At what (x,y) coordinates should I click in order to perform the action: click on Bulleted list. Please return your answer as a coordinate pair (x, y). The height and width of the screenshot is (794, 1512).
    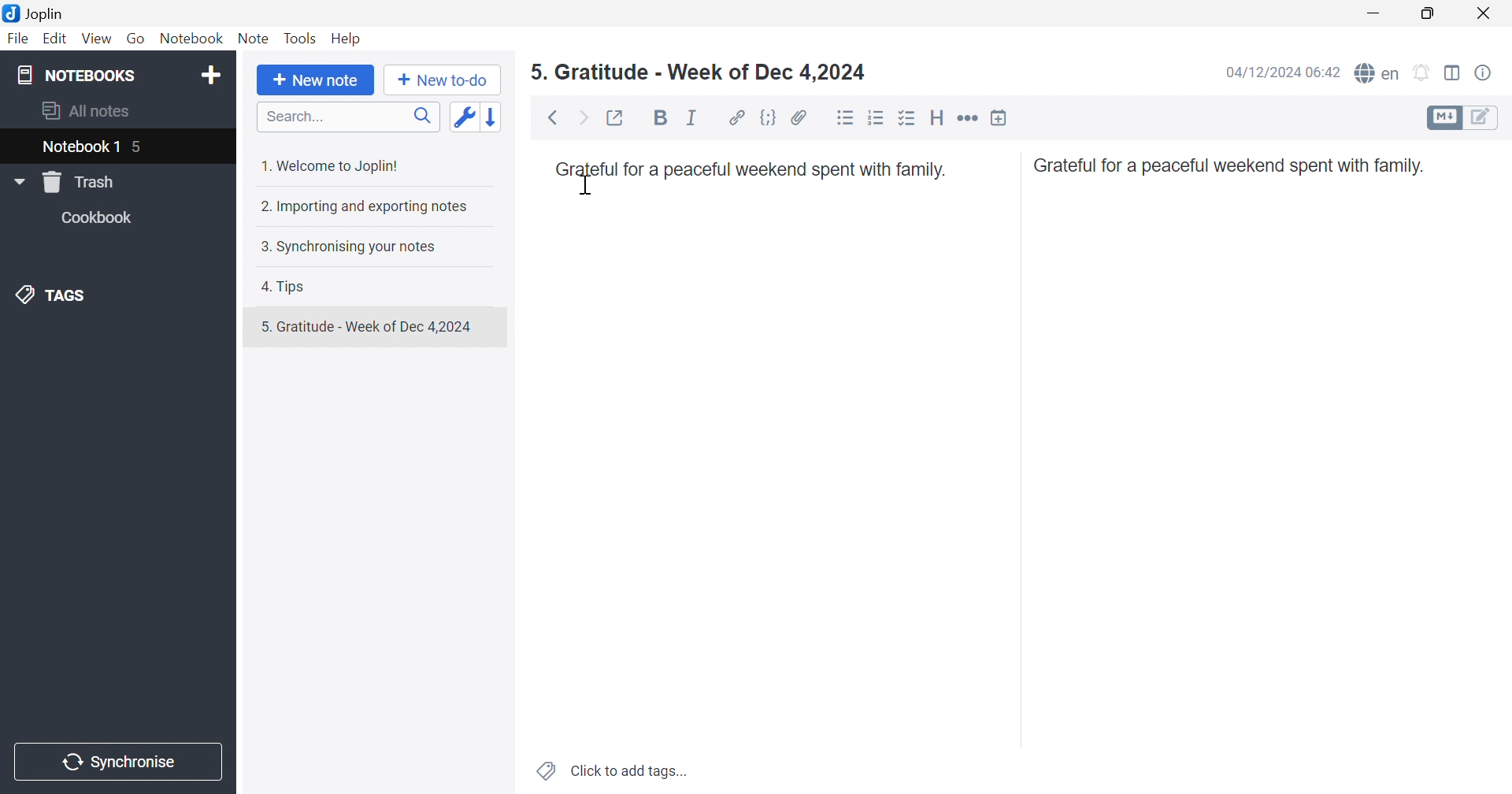
    Looking at the image, I should click on (845, 118).